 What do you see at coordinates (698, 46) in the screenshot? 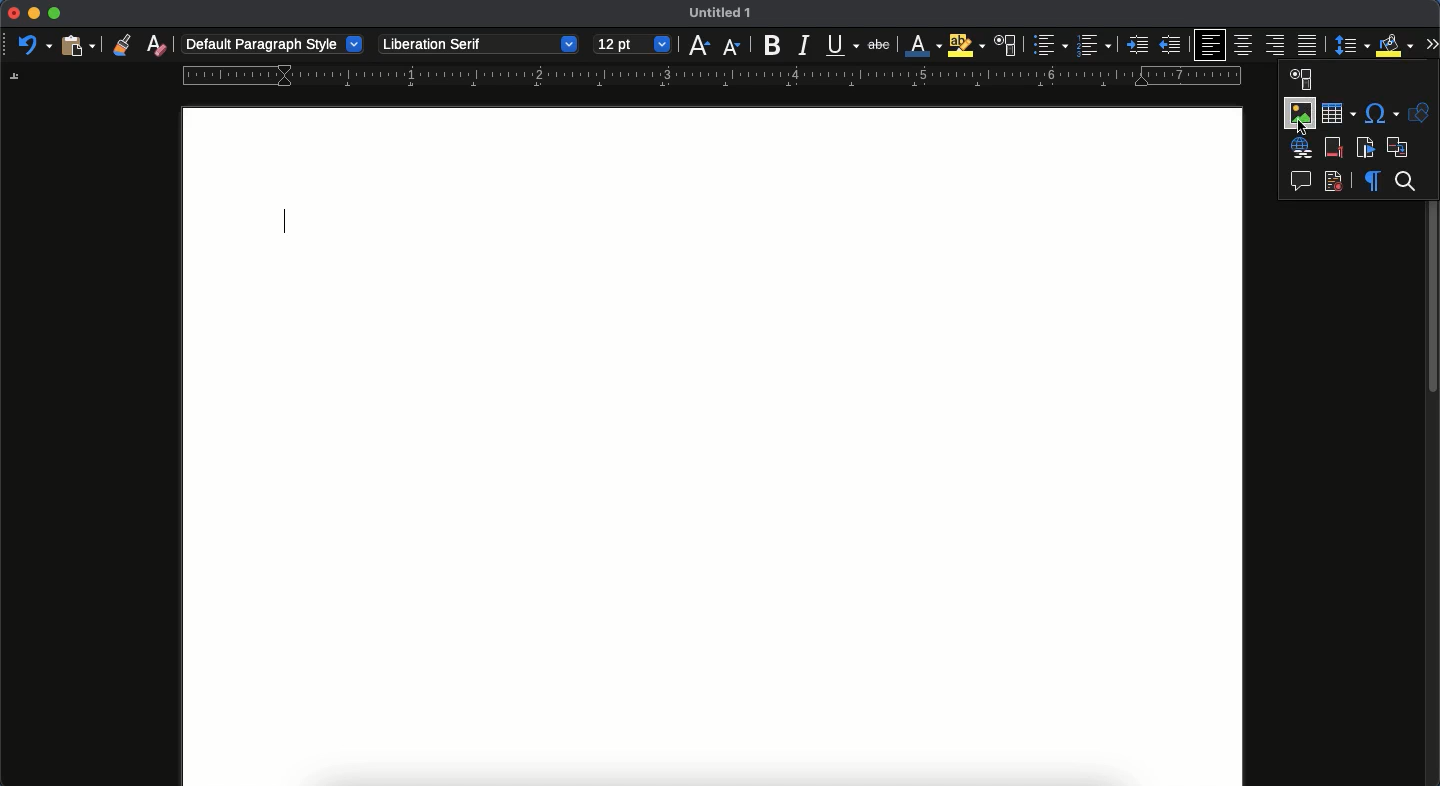
I see `increase size` at bounding box center [698, 46].